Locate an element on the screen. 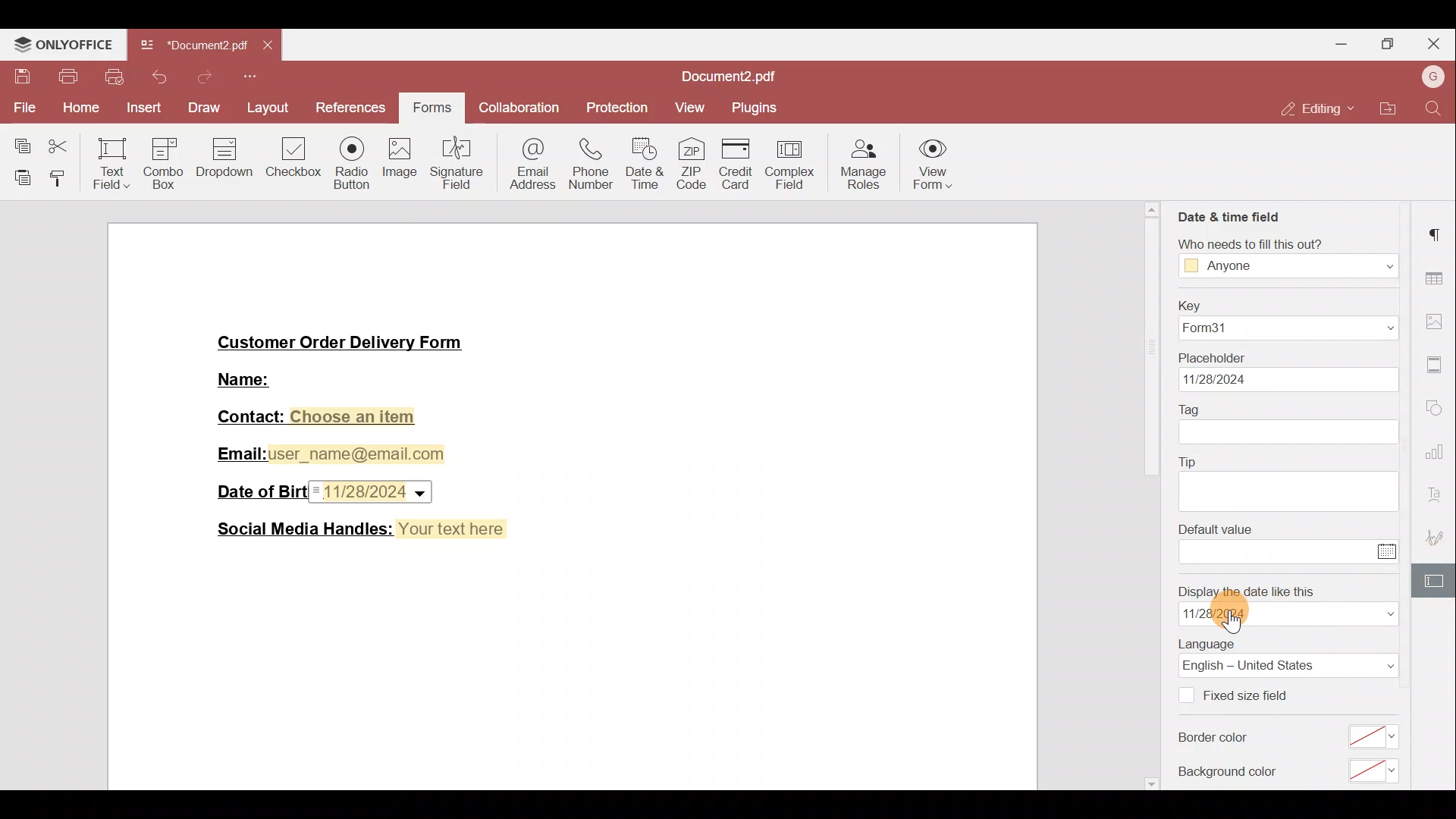 Image resolution: width=1456 pixels, height=819 pixels. Undo is located at coordinates (157, 77).